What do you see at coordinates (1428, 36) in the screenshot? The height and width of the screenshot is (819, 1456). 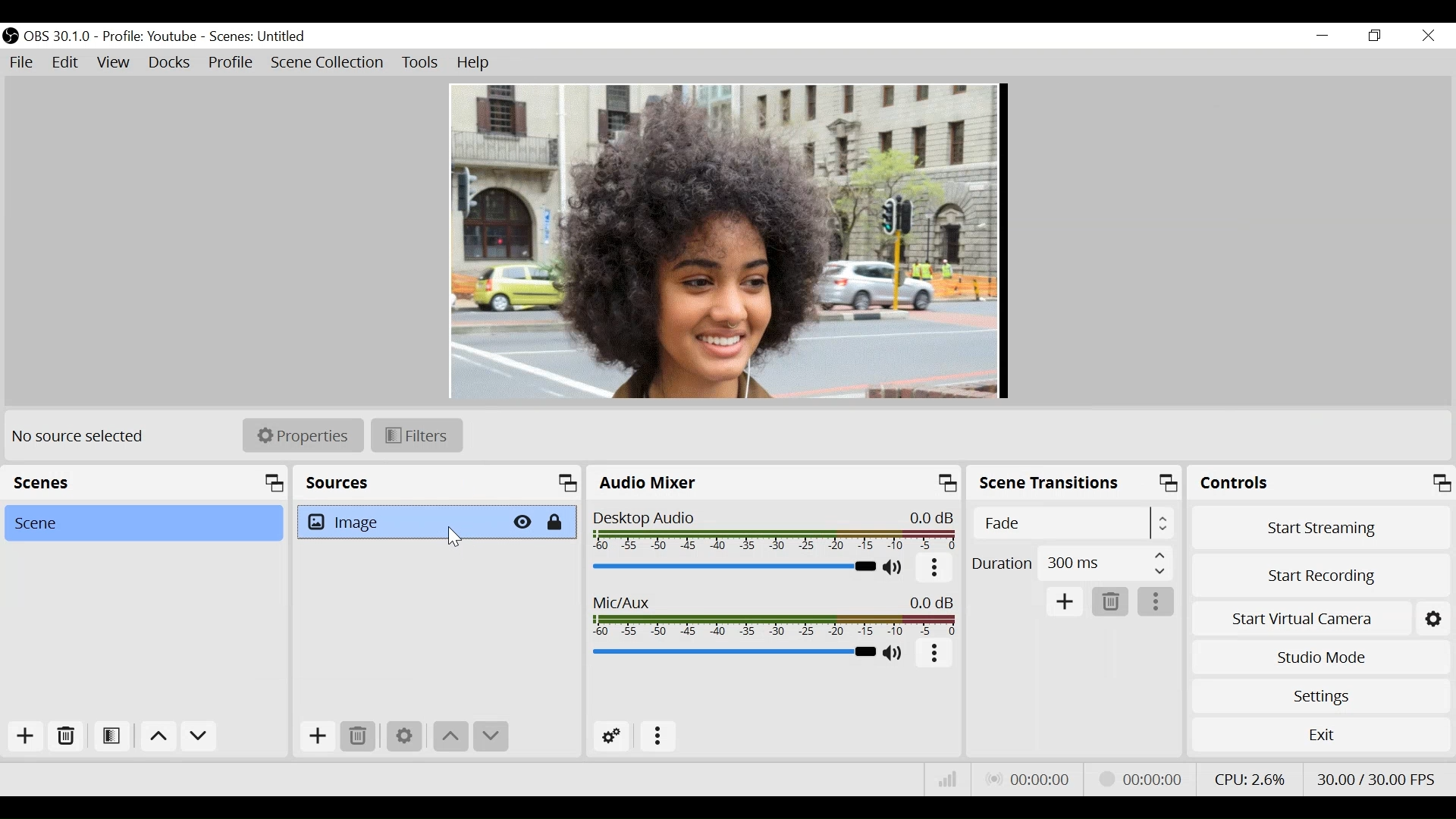 I see `Close` at bounding box center [1428, 36].